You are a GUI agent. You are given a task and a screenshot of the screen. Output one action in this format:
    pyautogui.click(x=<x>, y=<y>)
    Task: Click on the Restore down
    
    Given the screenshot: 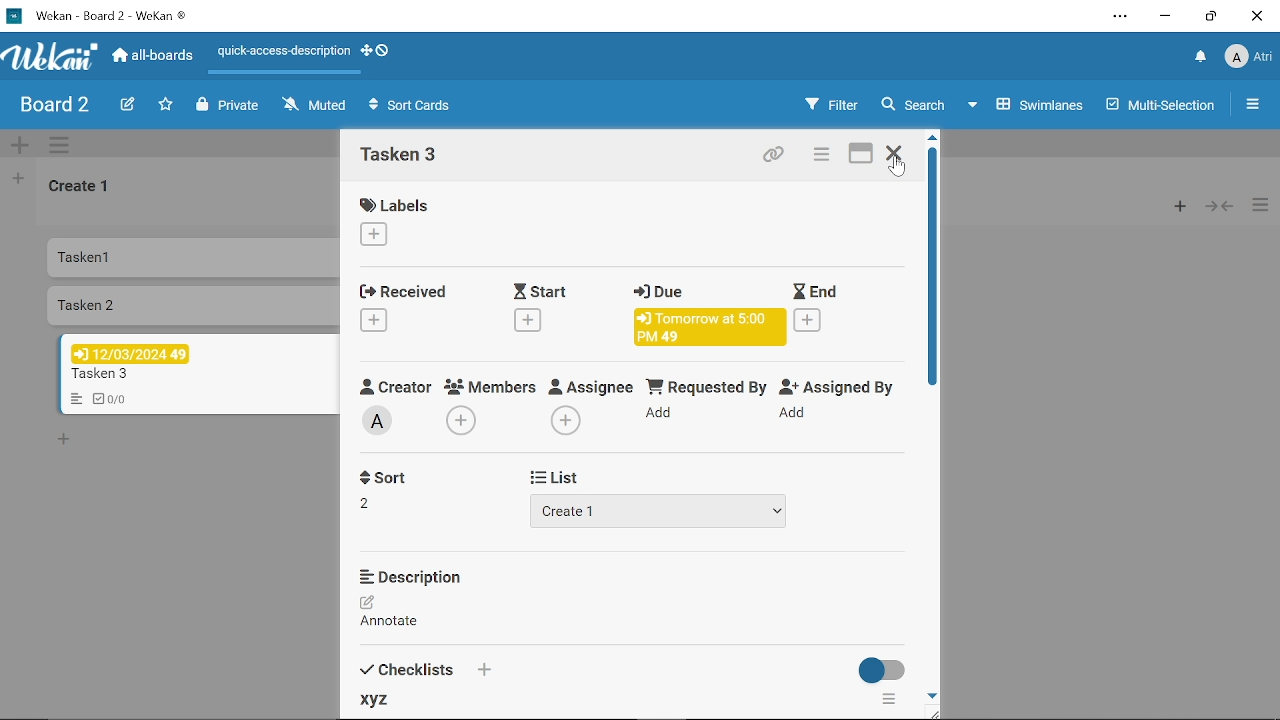 What is the action you would take?
    pyautogui.click(x=1209, y=19)
    